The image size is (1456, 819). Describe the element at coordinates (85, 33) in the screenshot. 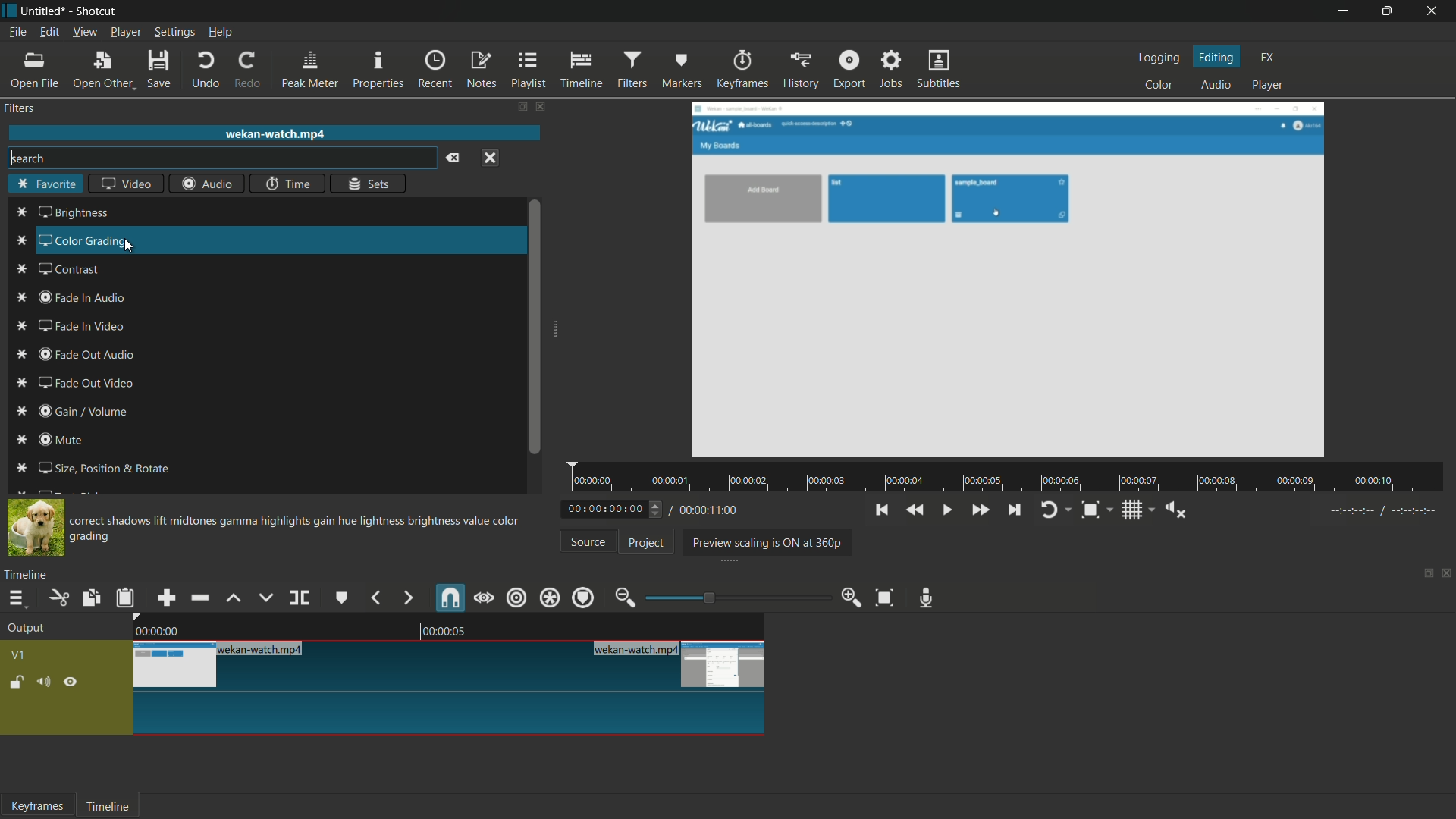

I see `view menu` at that location.